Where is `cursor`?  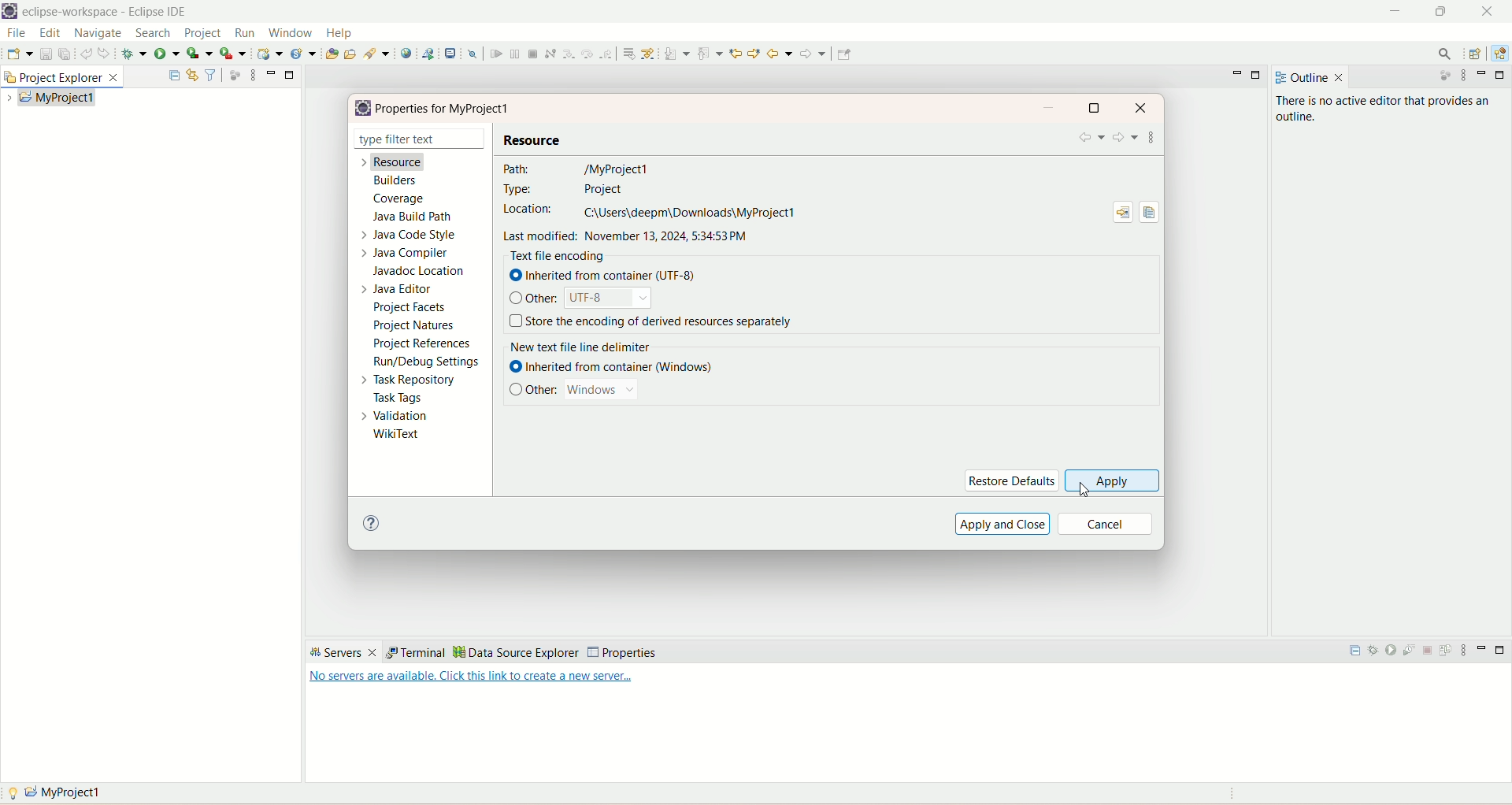
cursor is located at coordinates (1081, 492).